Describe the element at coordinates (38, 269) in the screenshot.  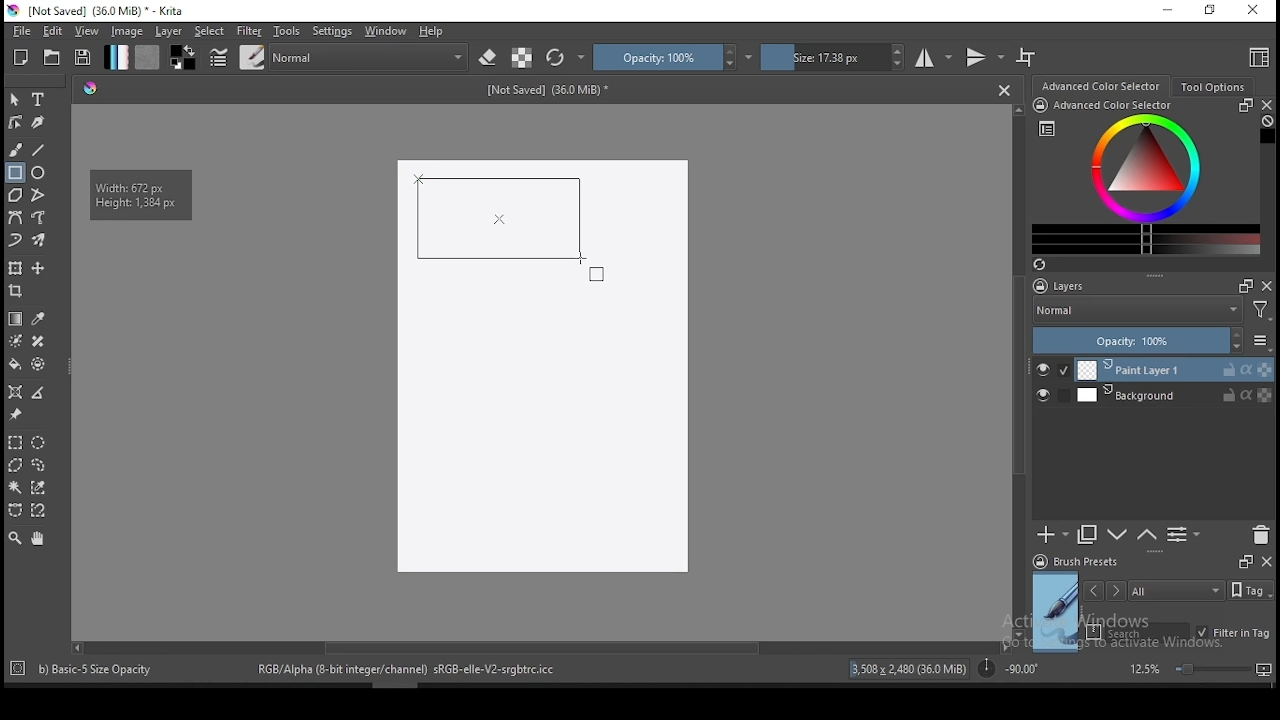
I see `move a layer` at that location.